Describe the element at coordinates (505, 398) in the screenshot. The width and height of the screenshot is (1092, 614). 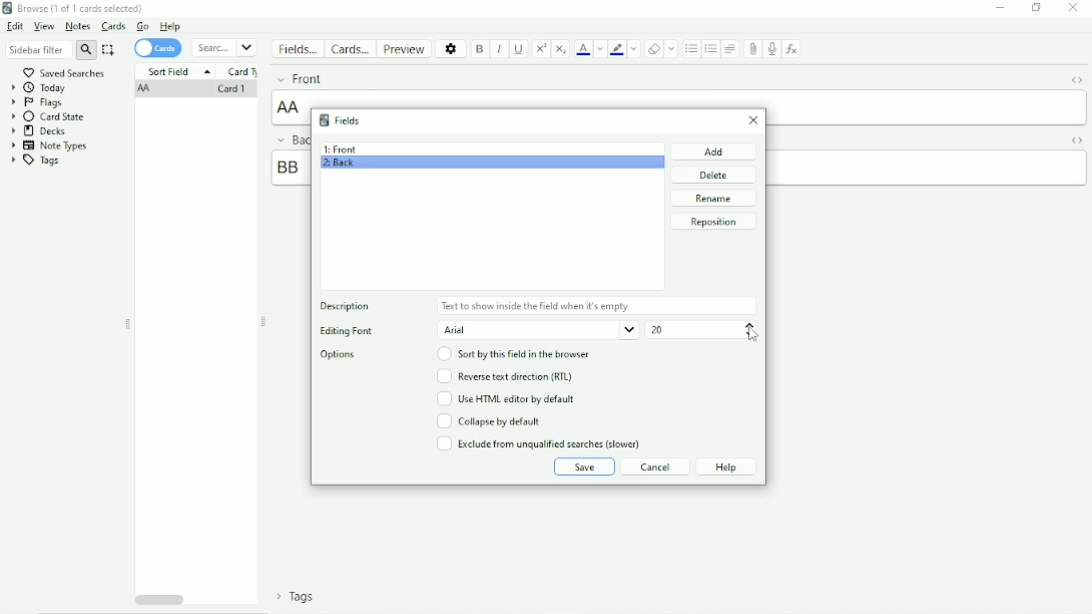
I see `Use HTML editor by default` at that location.